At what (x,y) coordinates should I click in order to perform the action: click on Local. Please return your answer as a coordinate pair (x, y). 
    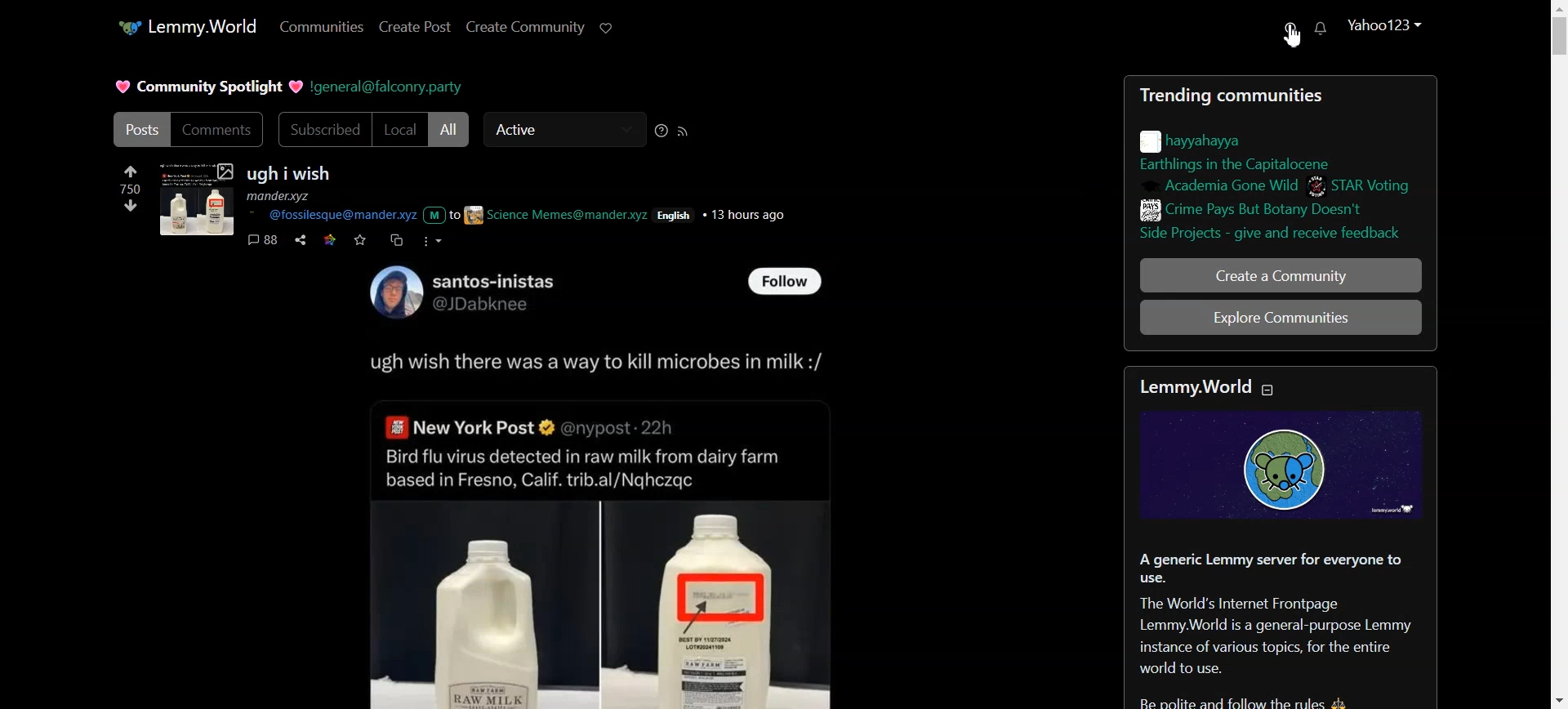
    Looking at the image, I should click on (399, 130).